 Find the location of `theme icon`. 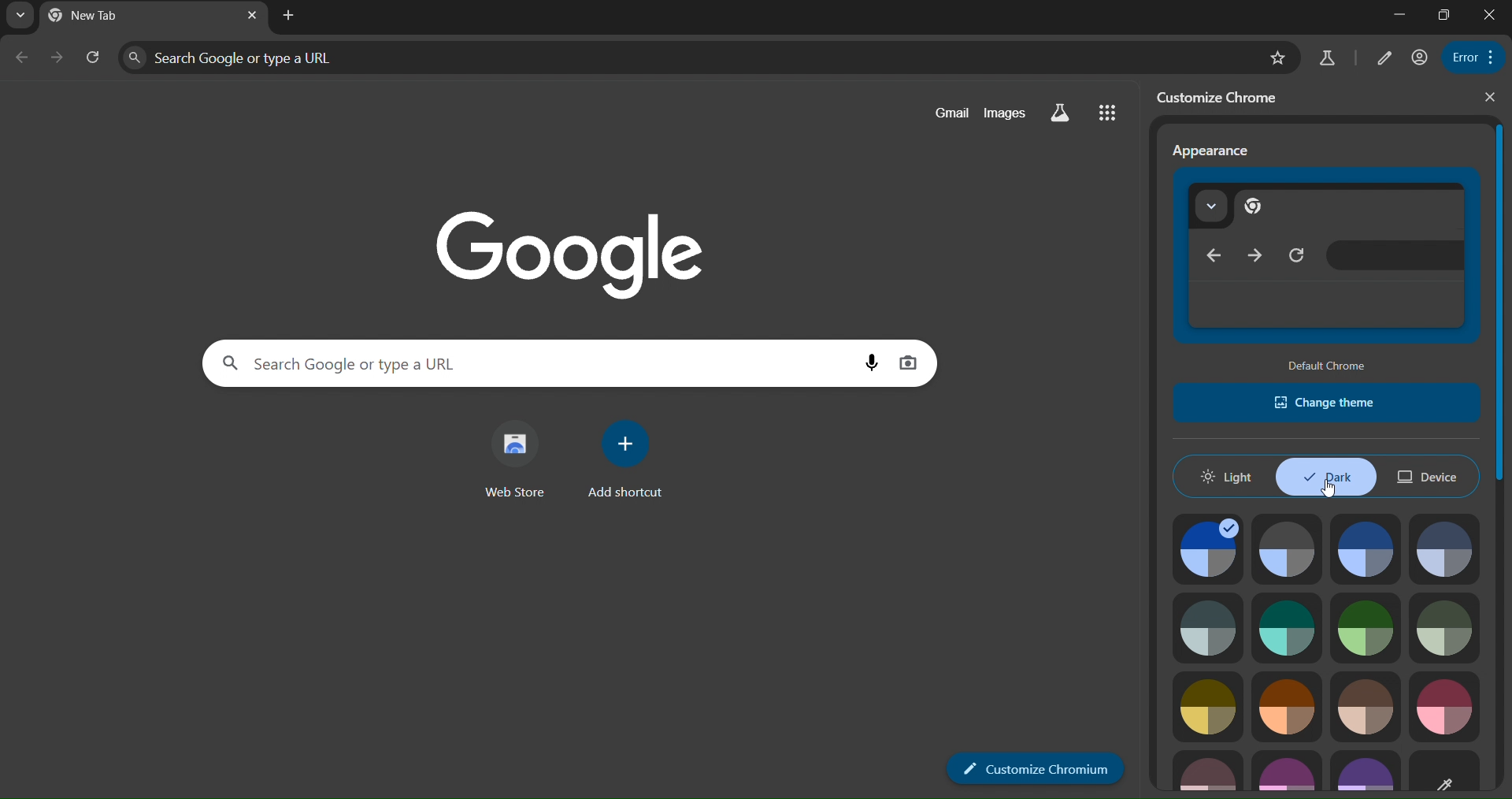

theme icon is located at coordinates (1365, 773).